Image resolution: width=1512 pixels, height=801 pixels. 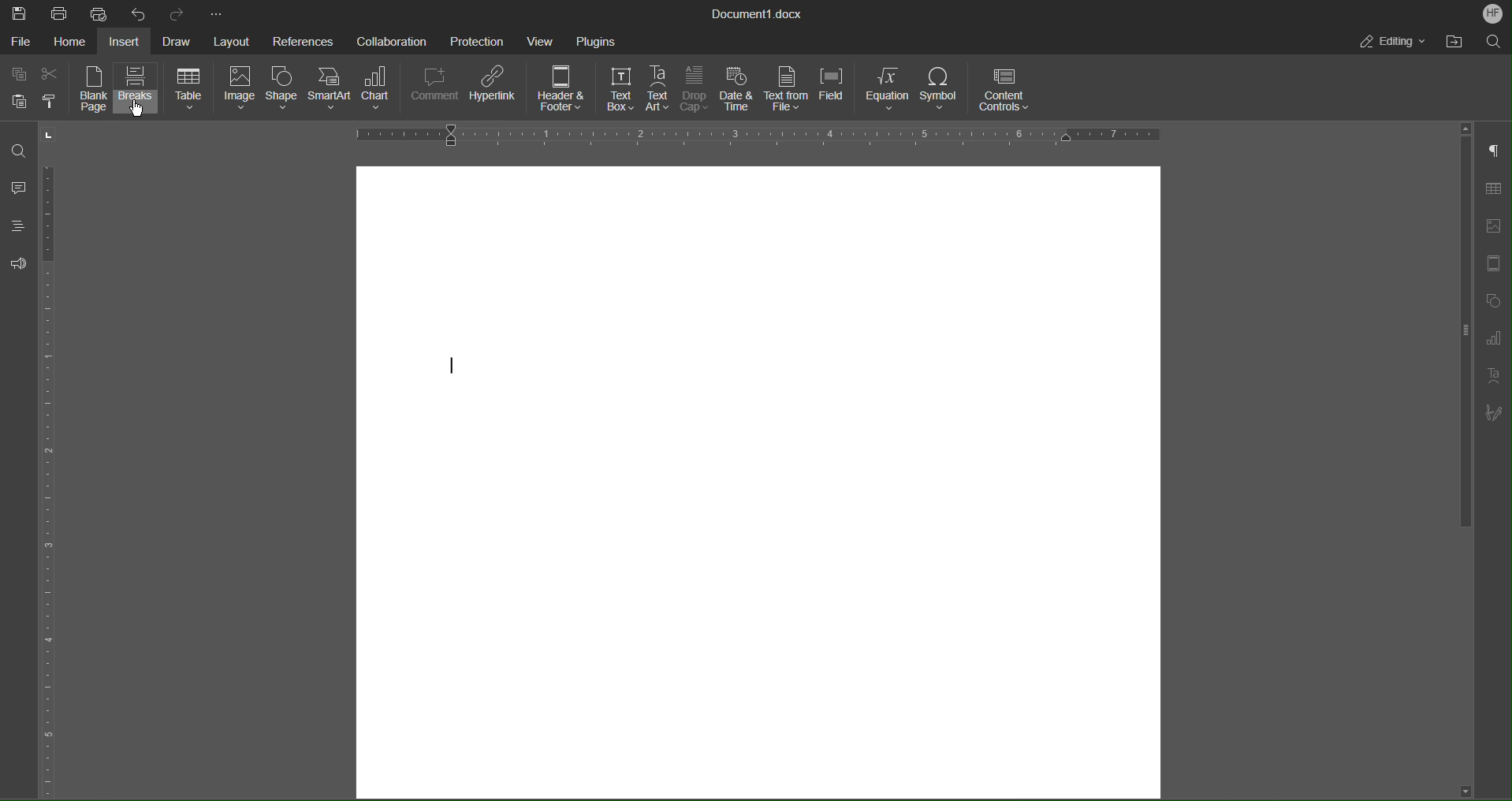 I want to click on Editing, so click(x=1392, y=42).